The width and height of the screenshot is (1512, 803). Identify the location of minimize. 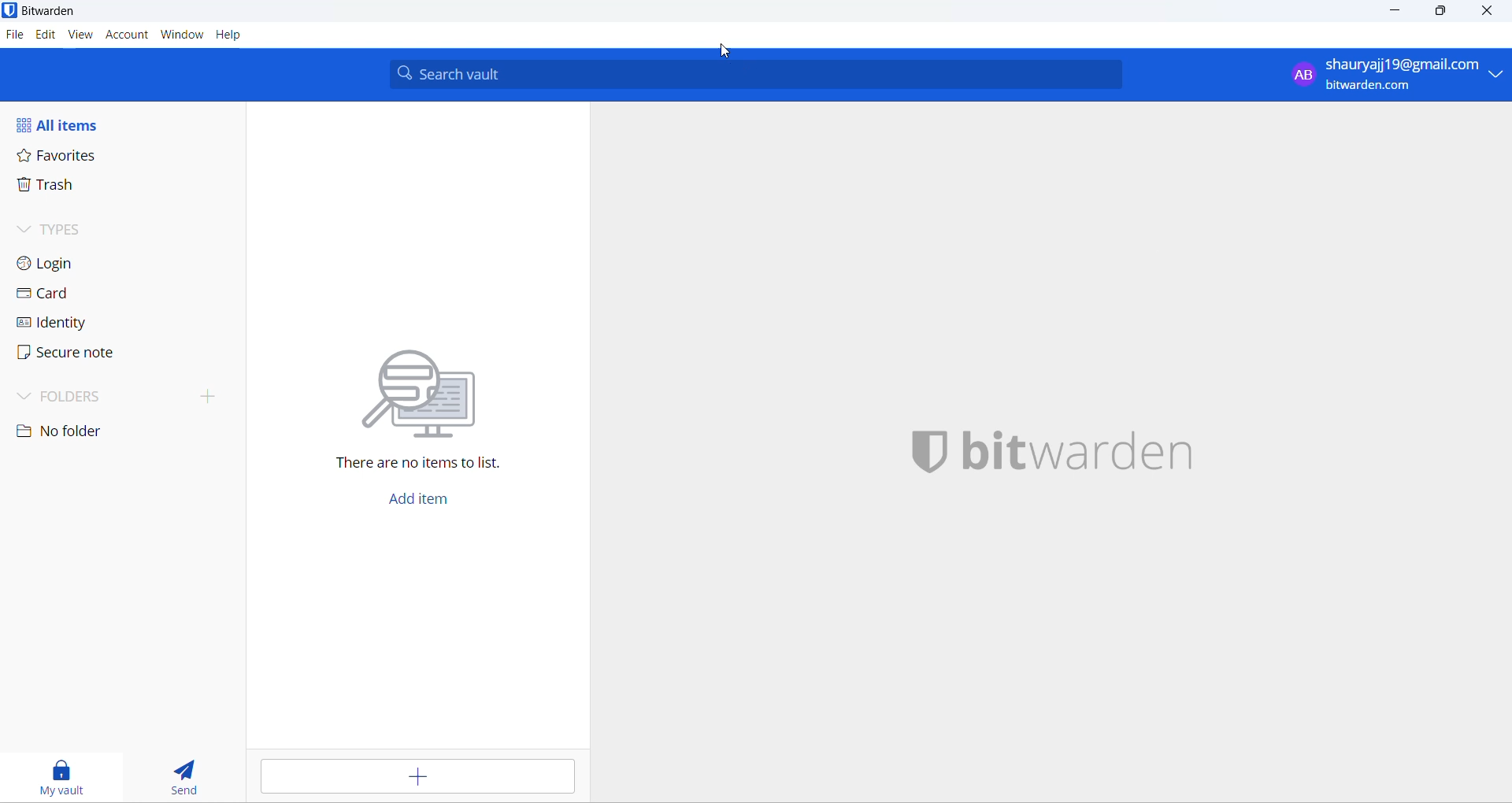
(1401, 13).